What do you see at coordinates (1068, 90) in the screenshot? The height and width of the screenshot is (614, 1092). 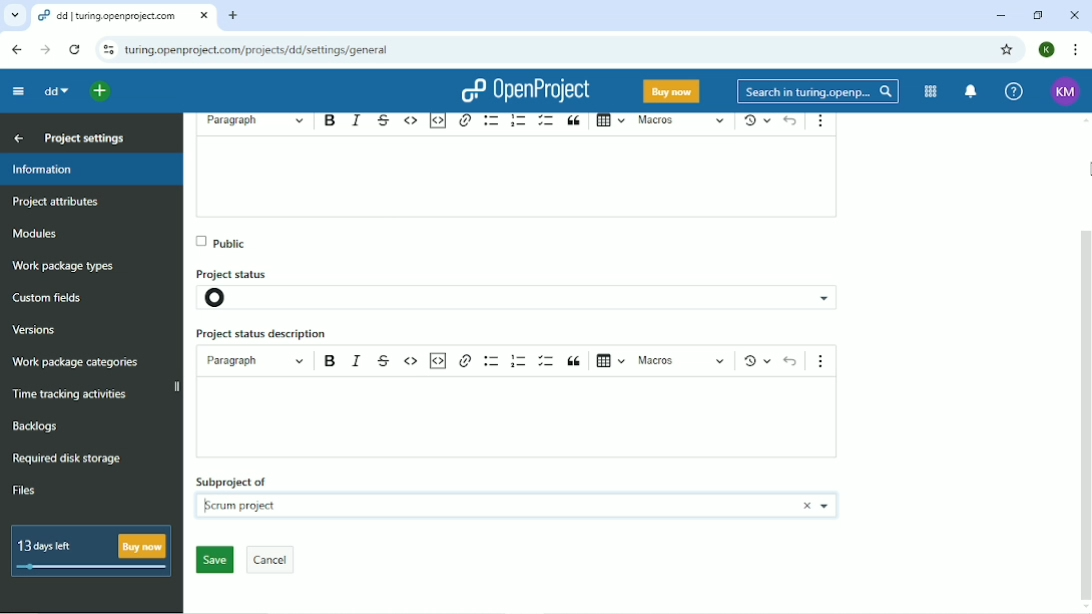 I see `KM` at bounding box center [1068, 90].